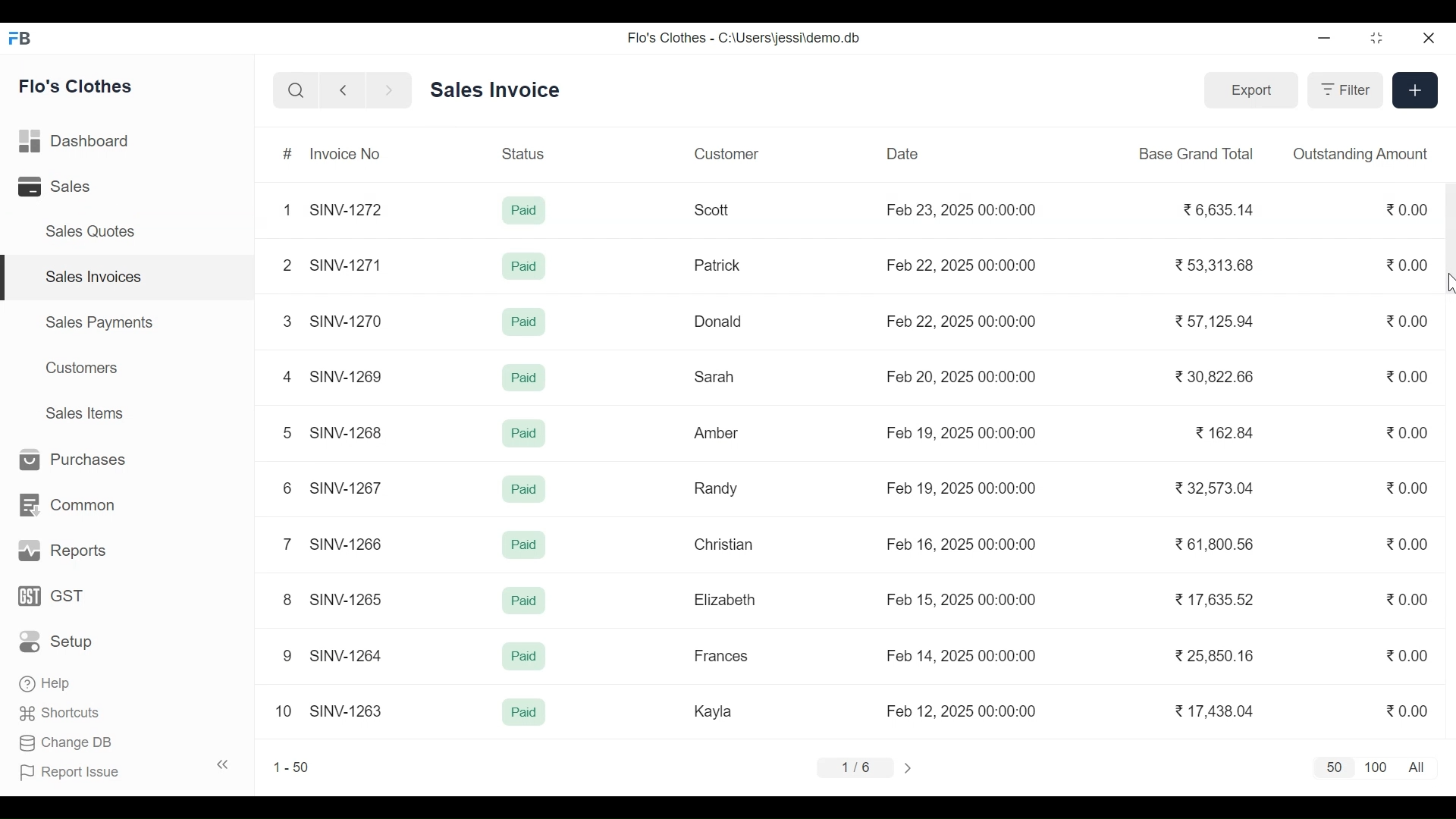 This screenshot has width=1456, height=819. Describe the element at coordinates (713, 711) in the screenshot. I see `Kayla` at that location.